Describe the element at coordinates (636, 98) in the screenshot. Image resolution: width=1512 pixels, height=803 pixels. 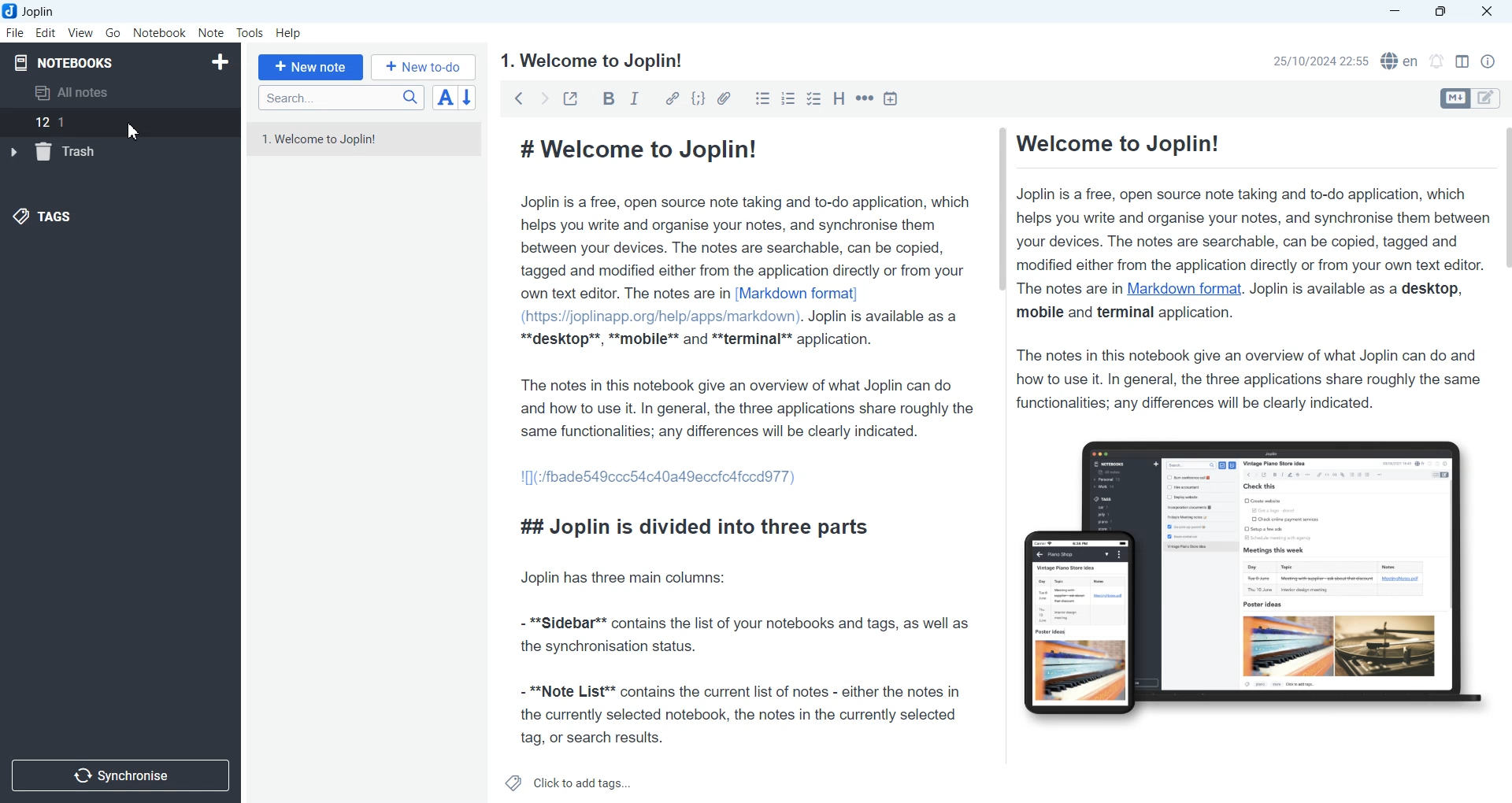
I see `Italic` at that location.